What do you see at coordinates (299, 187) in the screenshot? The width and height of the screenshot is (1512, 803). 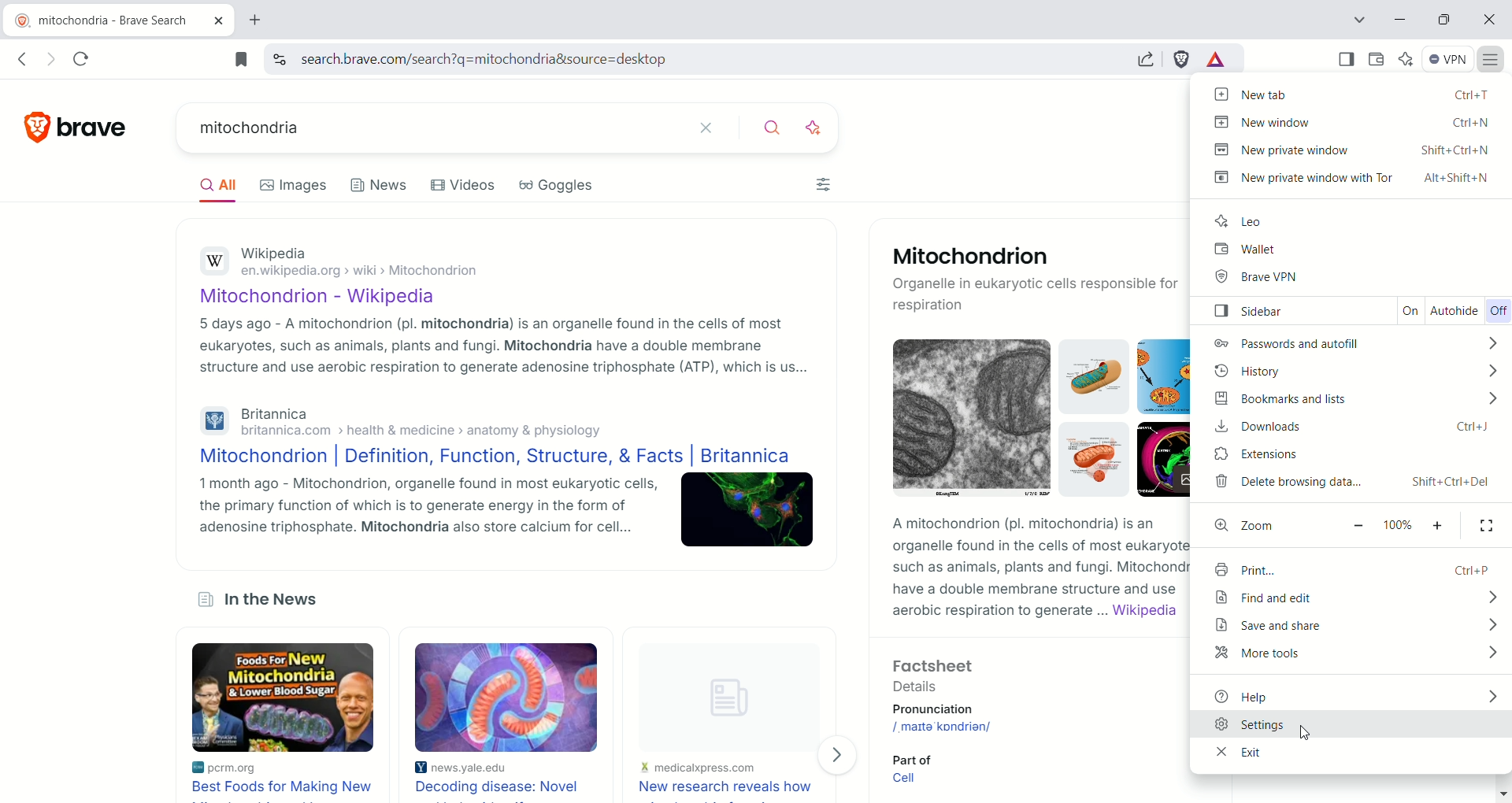 I see `Images` at bounding box center [299, 187].